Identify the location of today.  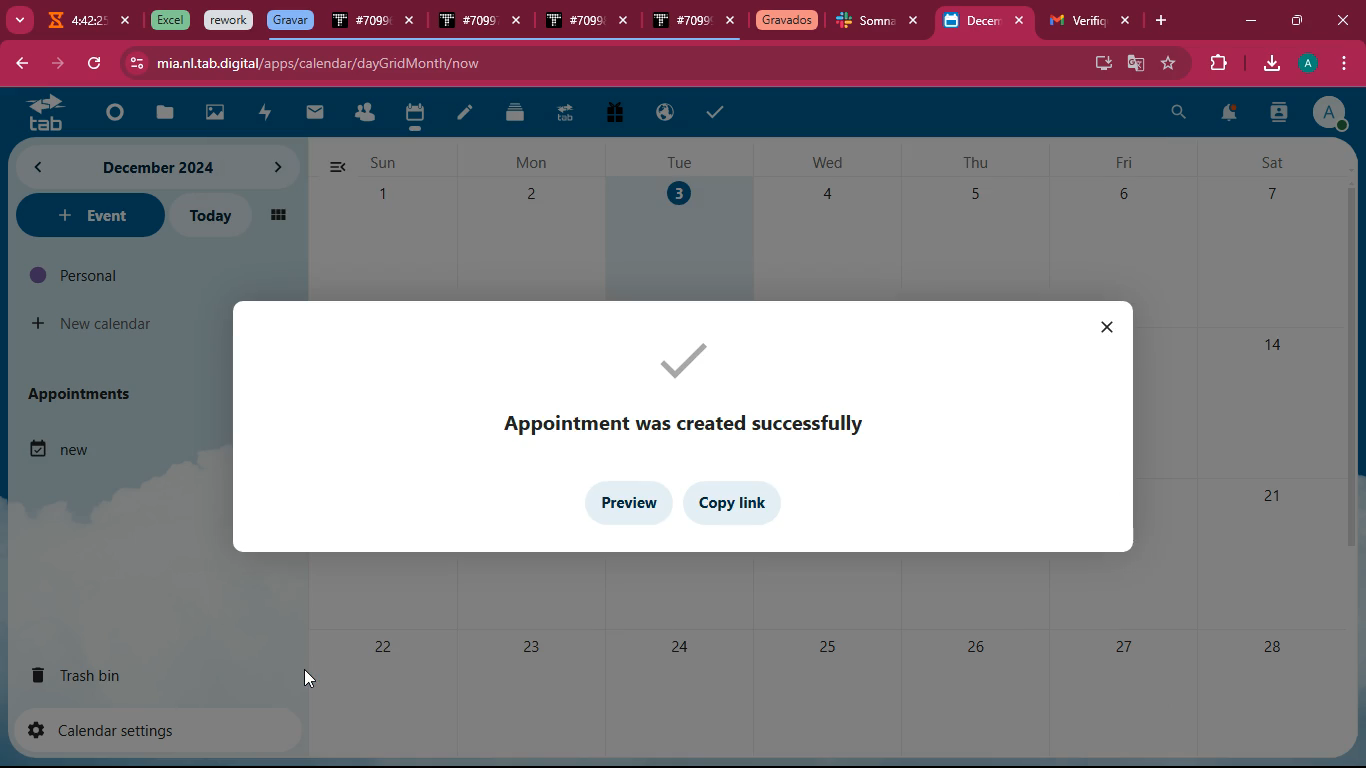
(207, 216).